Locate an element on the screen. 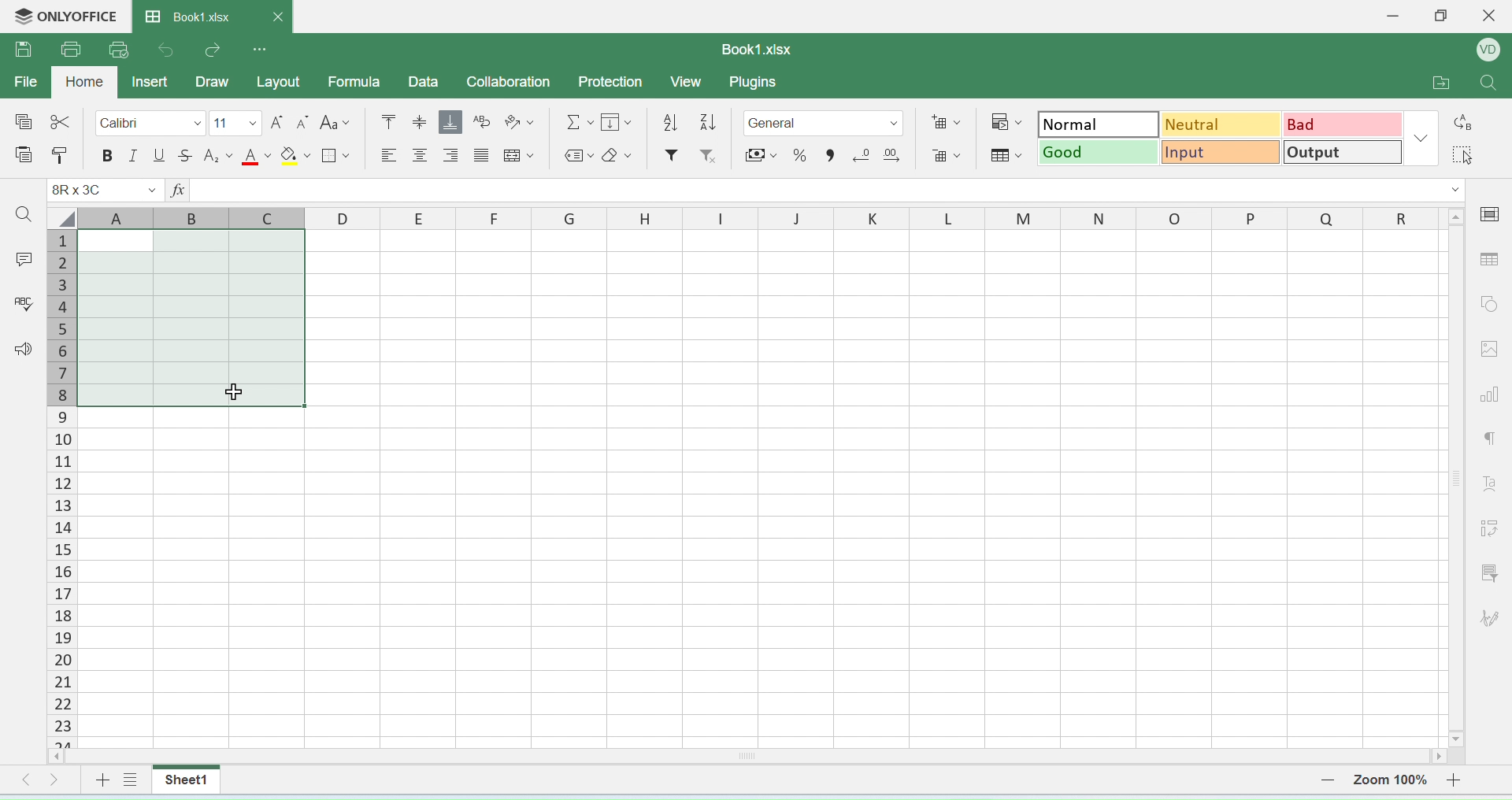 This screenshot has height=800, width=1512. align left is located at coordinates (386, 156).